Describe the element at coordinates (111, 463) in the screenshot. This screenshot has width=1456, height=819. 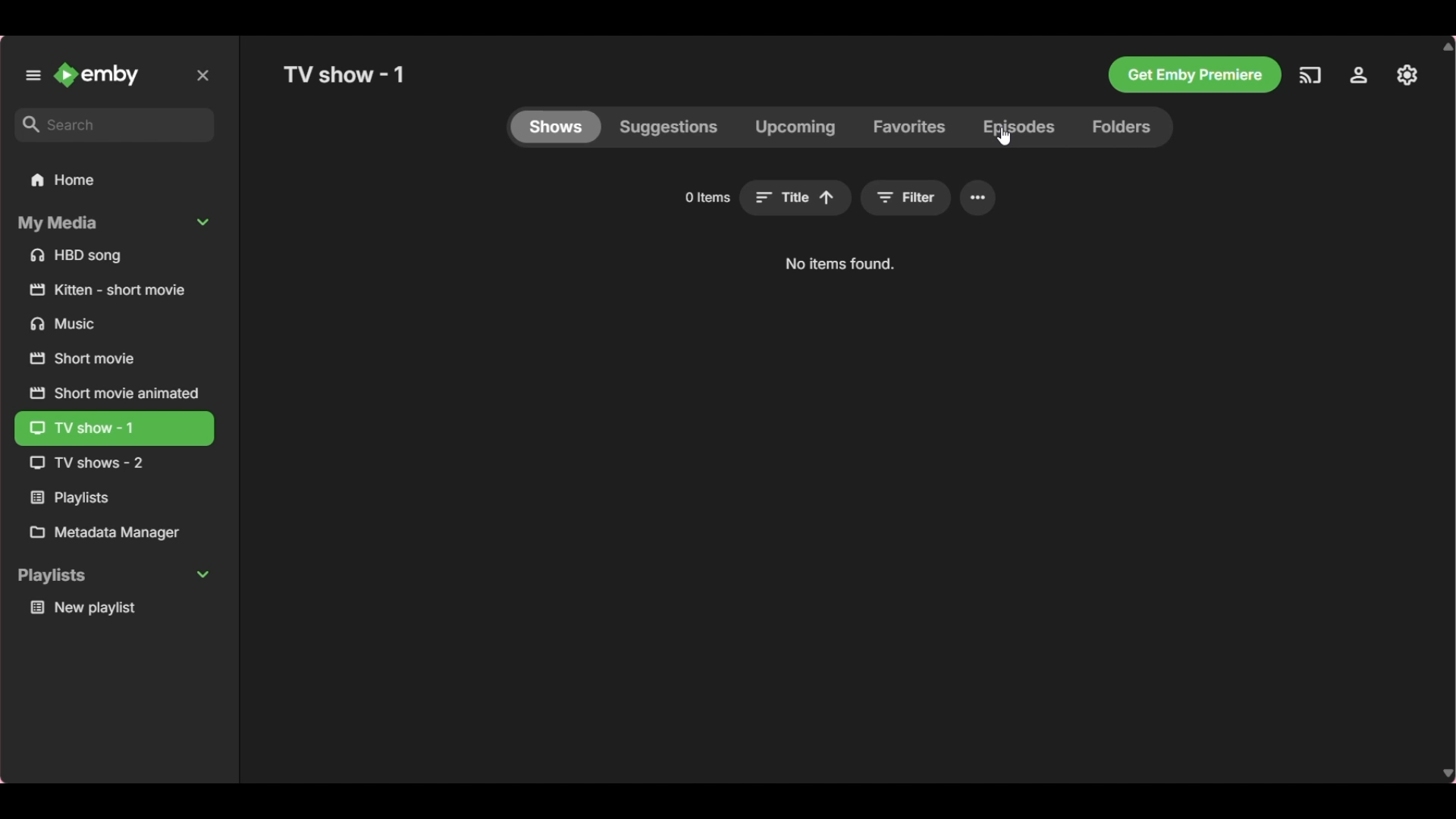
I see `TV show` at that location.